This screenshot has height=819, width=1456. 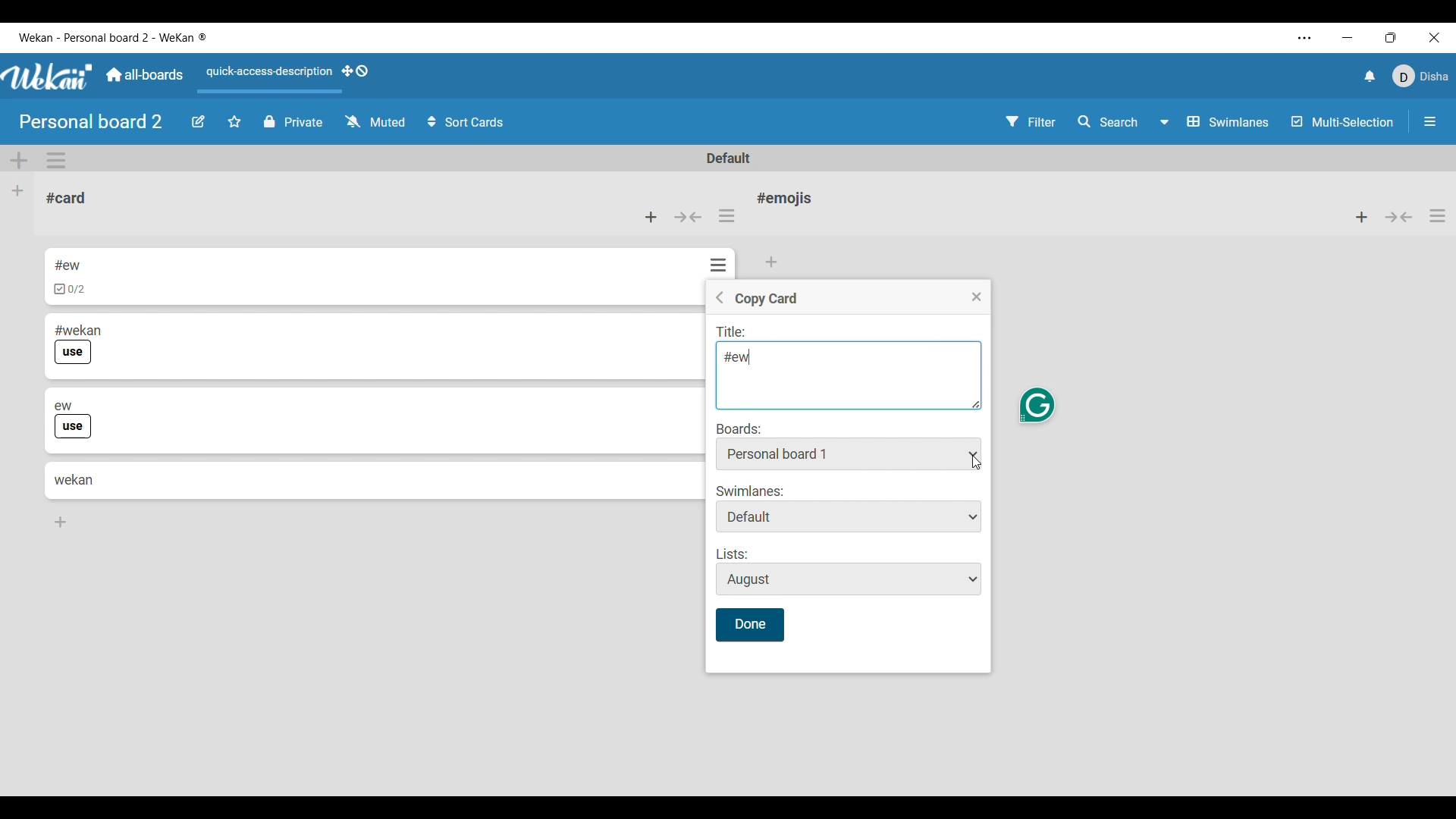 I want to click on Card 1, so click(x=118, y=263).